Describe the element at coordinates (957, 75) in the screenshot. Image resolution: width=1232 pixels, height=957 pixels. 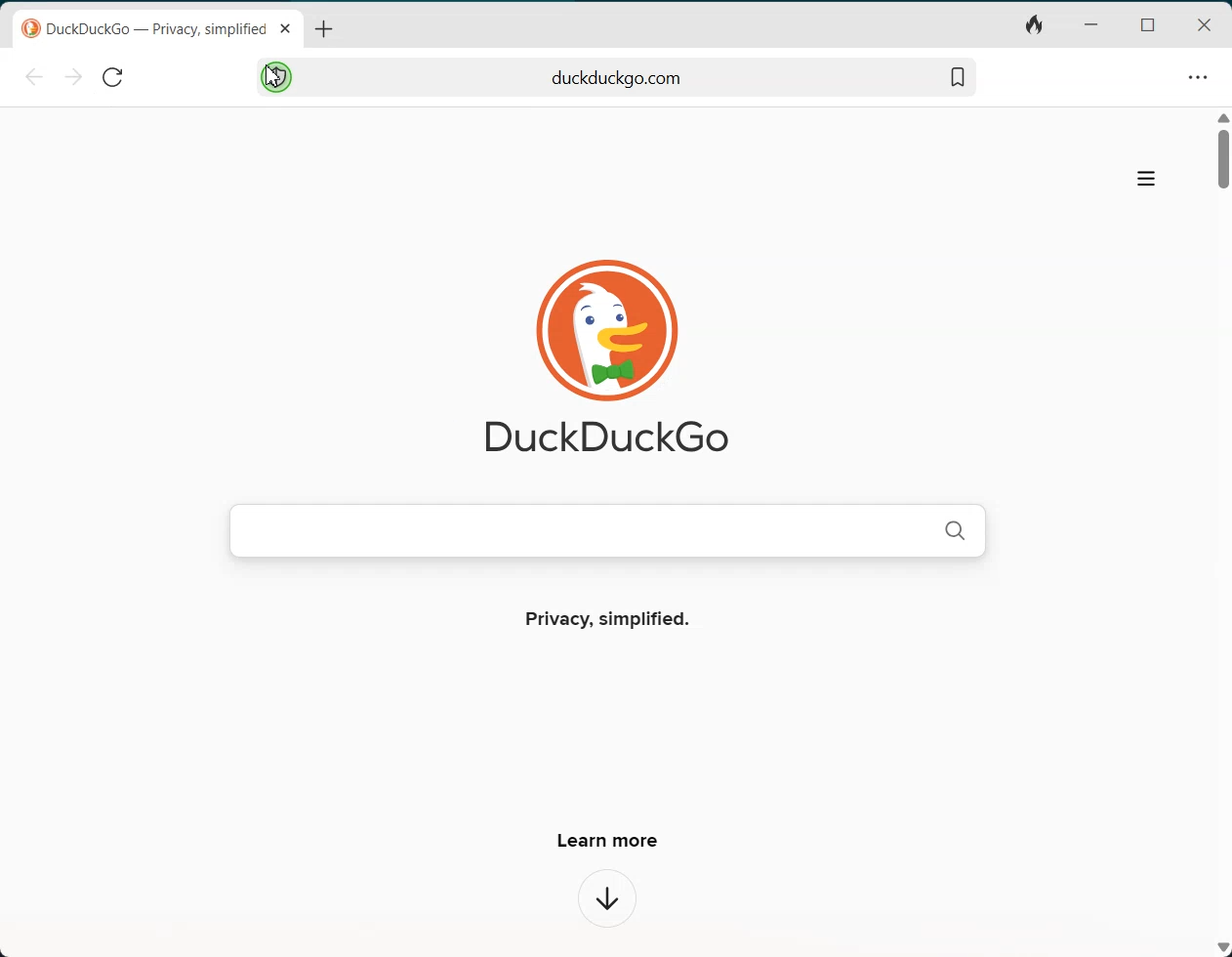
I see `Bookmark` at that location.